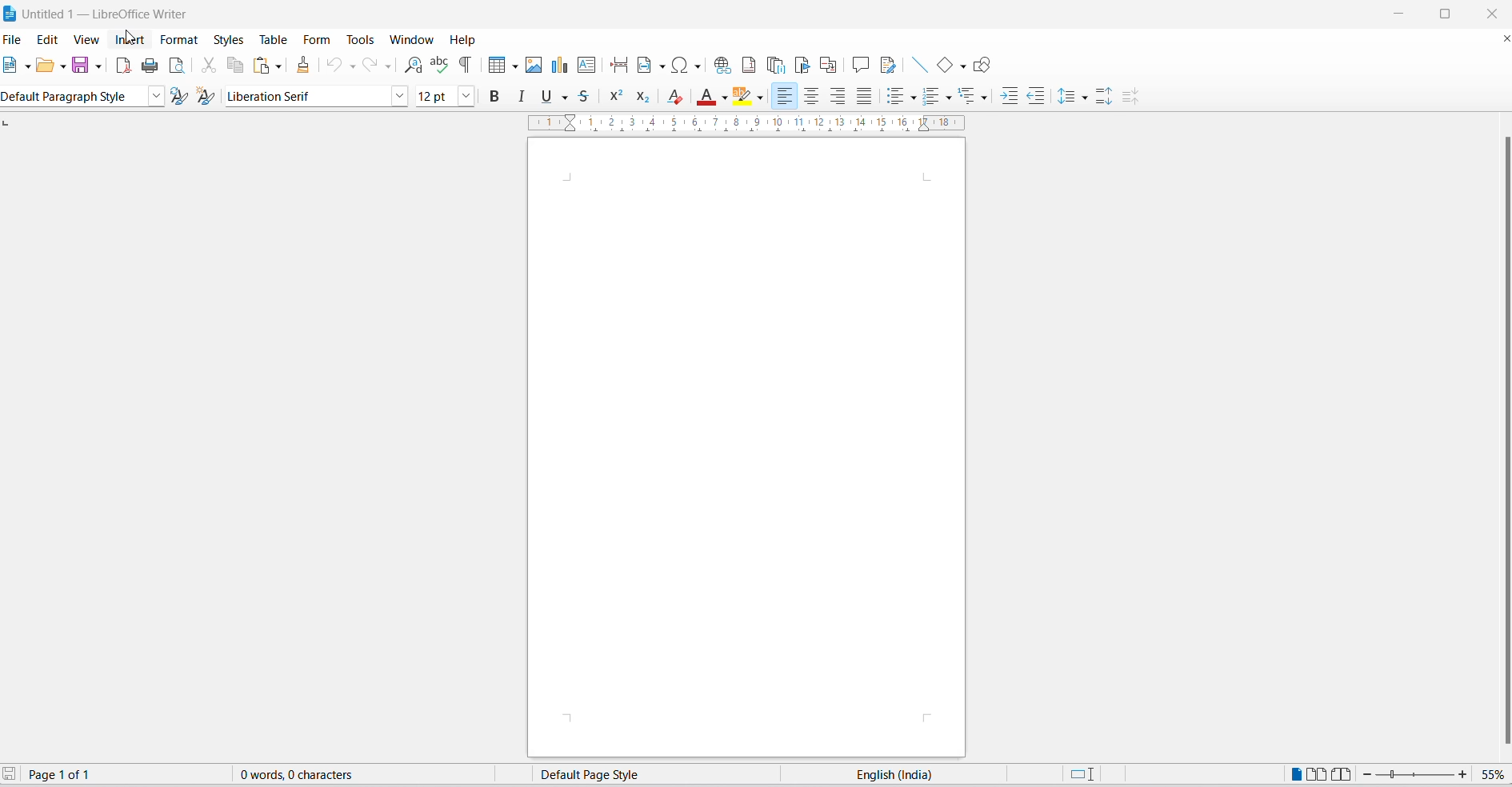 Image resolution: width=1512 pixels, height=787 pixels. What do you see at coordinates (180, 40) in the screenshot?
I see `format` at bounding box center [180, 40].